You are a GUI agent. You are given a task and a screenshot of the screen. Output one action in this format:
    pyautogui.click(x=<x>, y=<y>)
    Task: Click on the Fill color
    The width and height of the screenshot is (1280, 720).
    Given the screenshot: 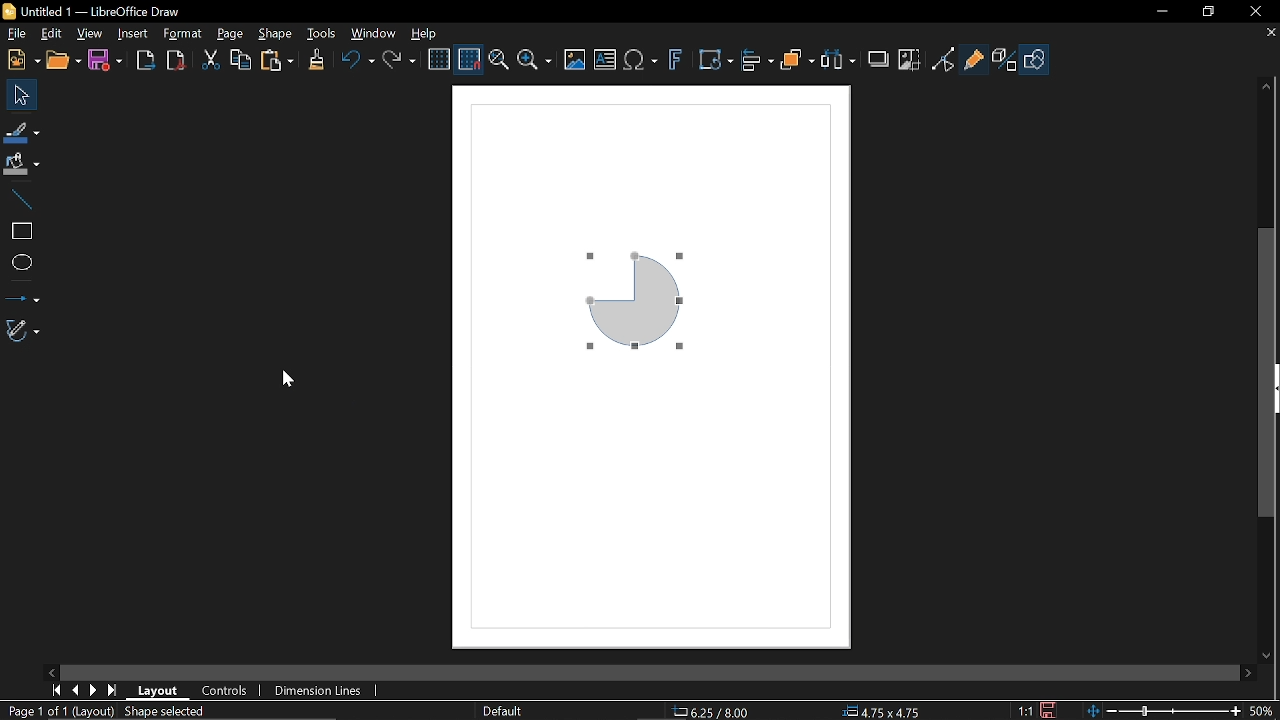 What is the action you would take?
    pyautogui.click(x=22, y=166)
    